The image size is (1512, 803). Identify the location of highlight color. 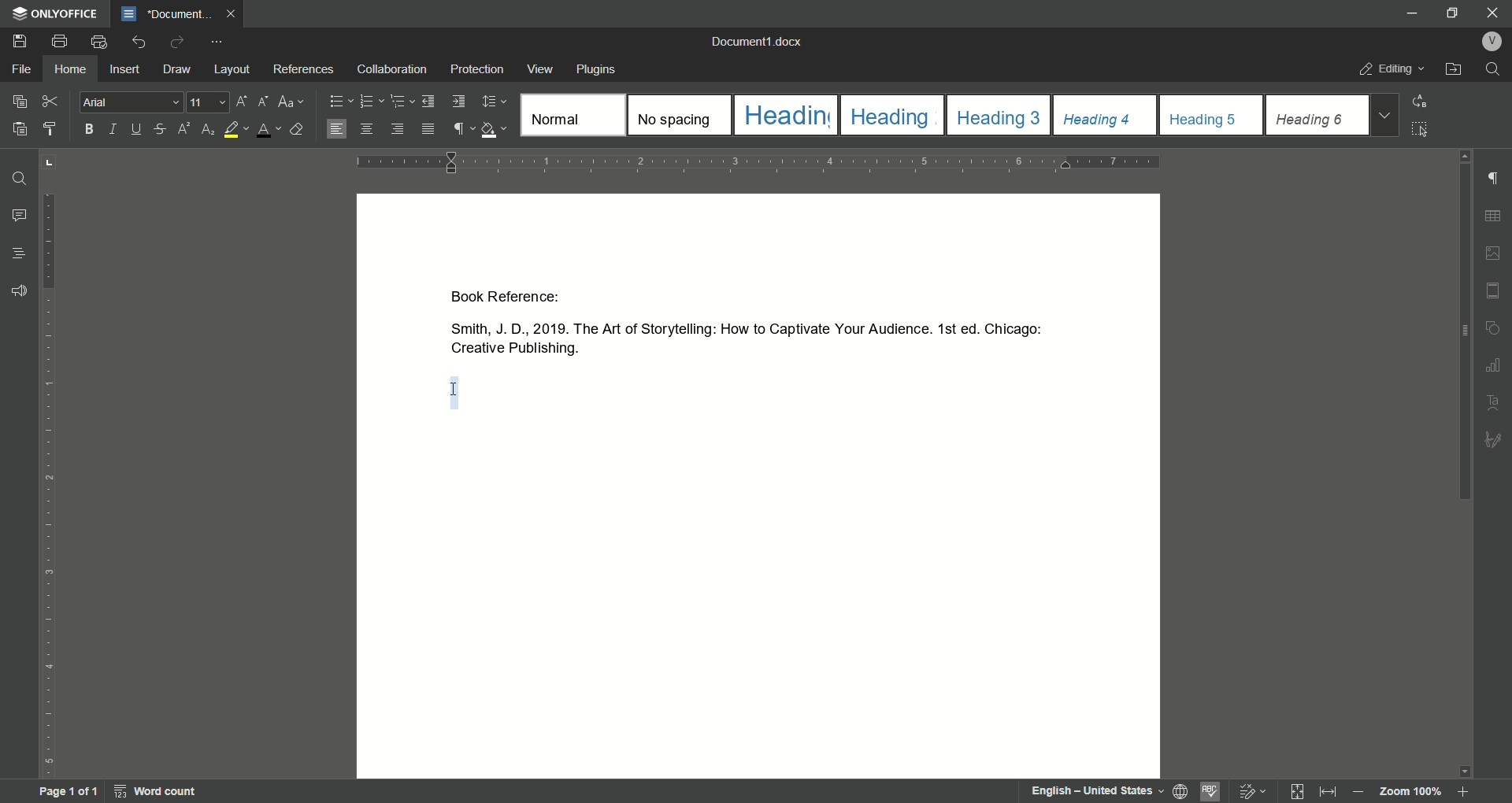
(235, 130).